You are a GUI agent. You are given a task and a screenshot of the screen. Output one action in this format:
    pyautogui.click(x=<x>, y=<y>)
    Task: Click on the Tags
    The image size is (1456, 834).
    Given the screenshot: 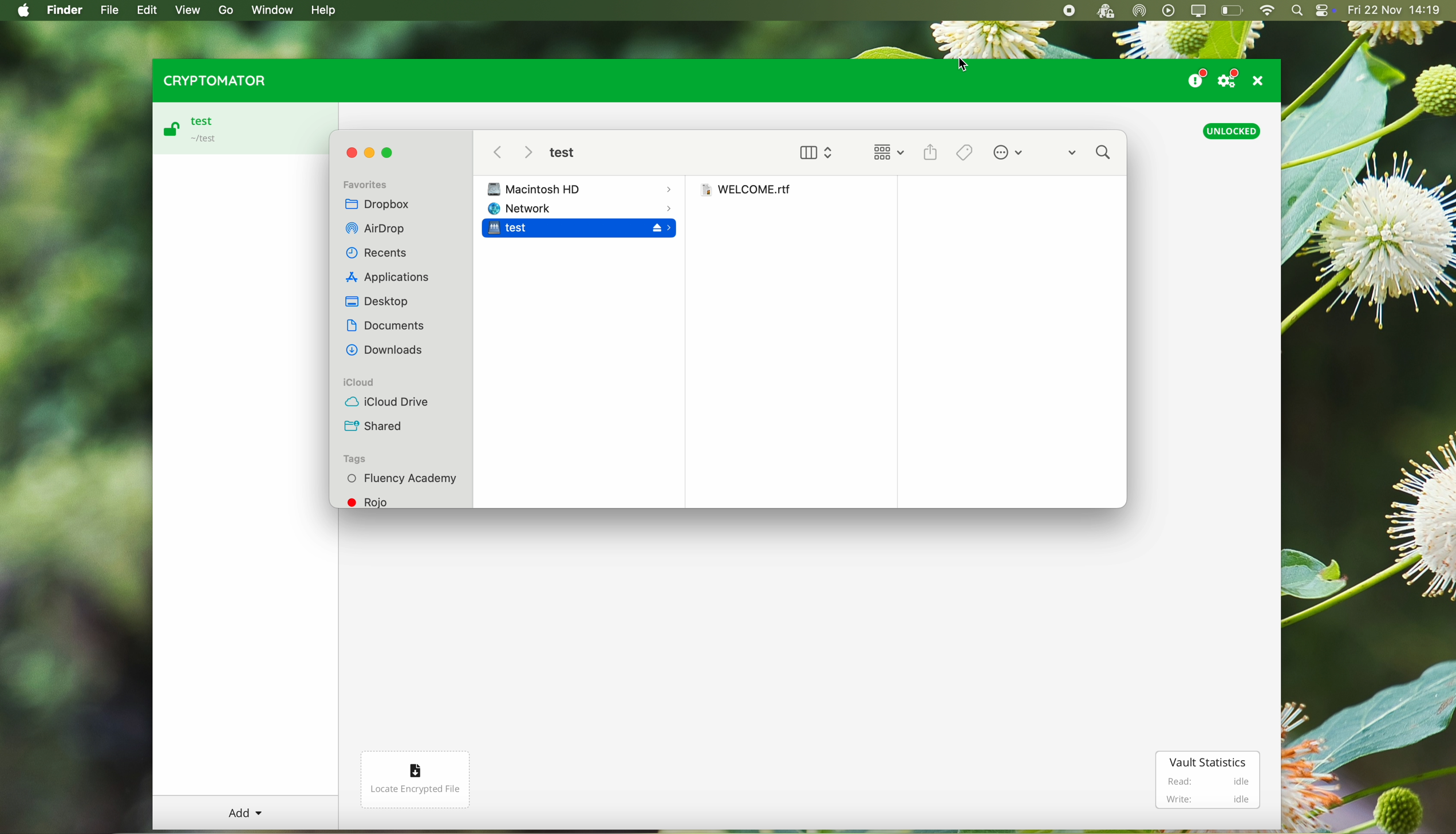 What is the action you would take?
    pyautogui.click(x=357, y=459)
    